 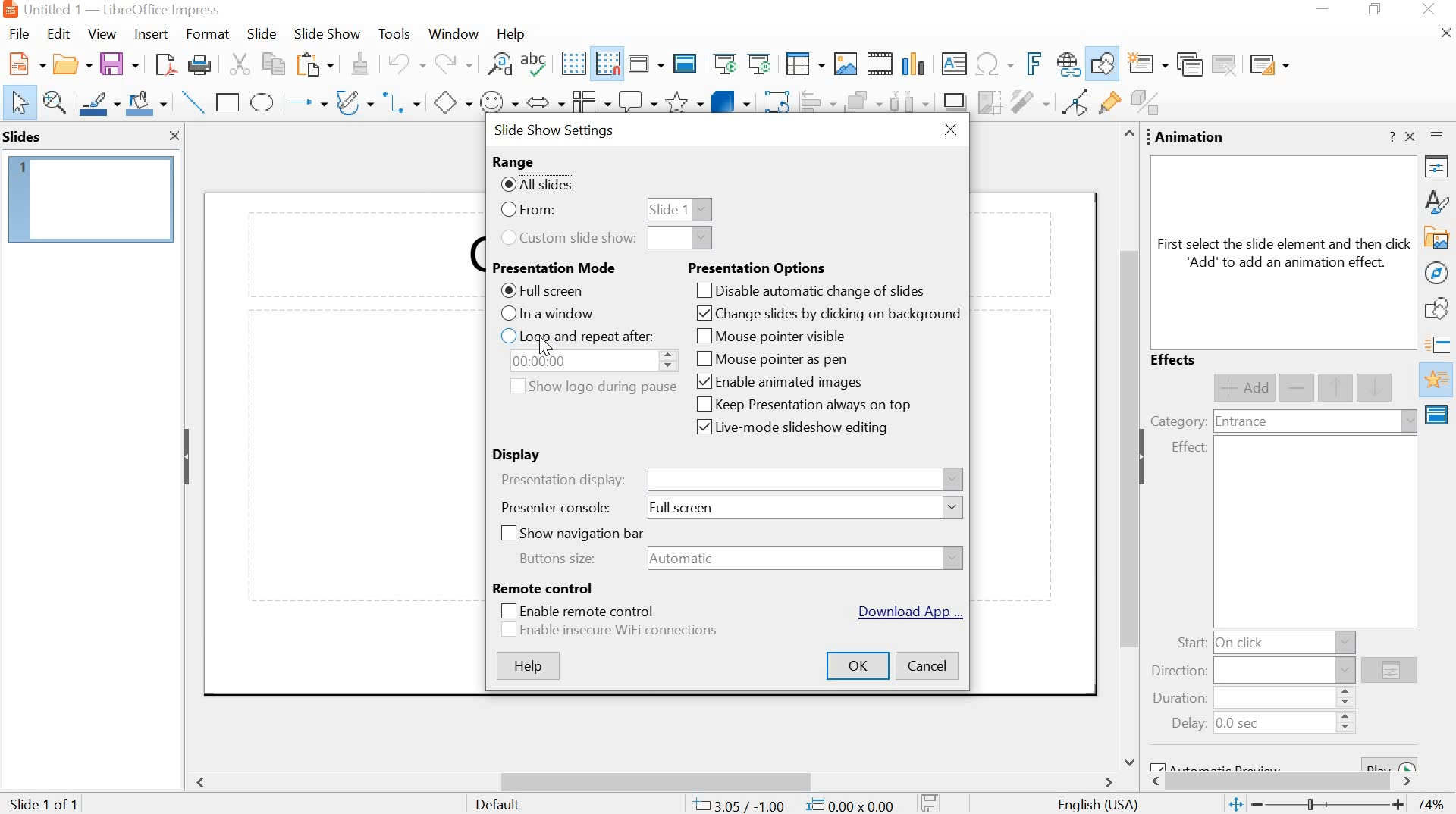 I want to click on zoom and pan, so click(x=55, y=102).